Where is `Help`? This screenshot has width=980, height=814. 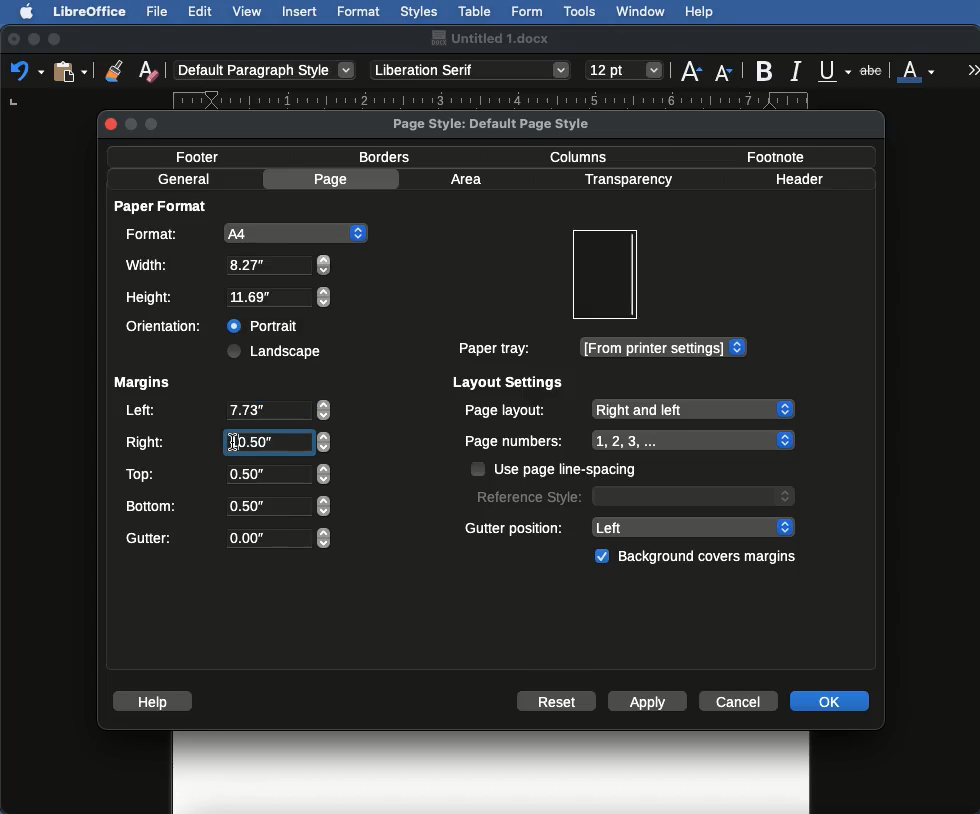
Help is located at coordinates (156, 701).